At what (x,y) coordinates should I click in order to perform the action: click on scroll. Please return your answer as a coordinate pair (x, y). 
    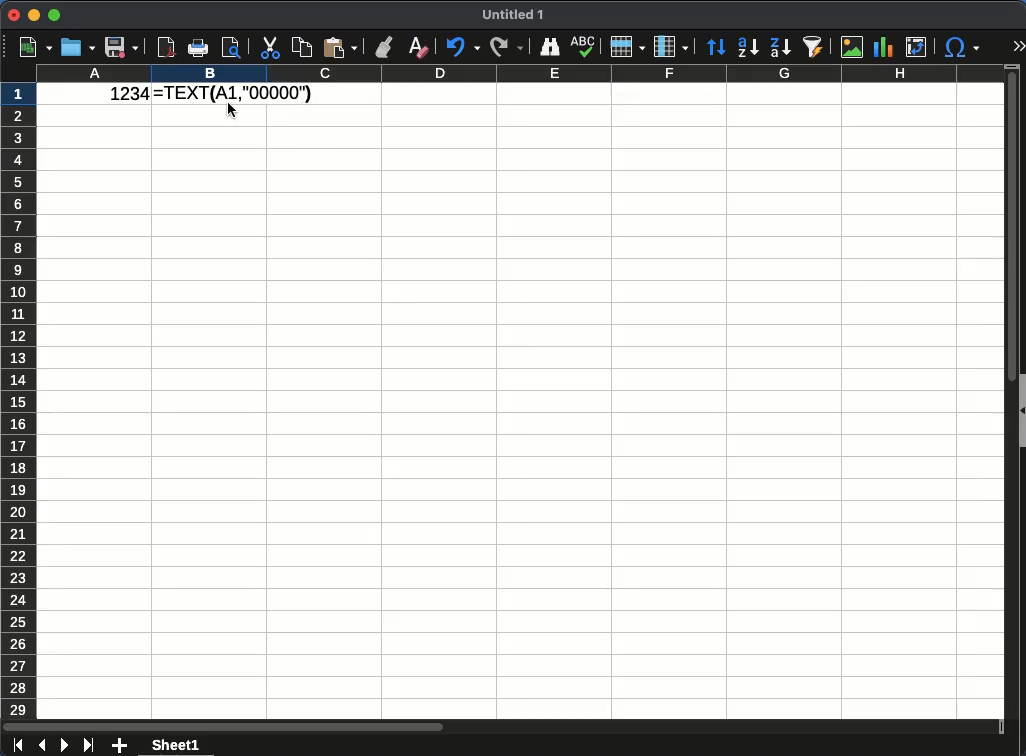
    Looking at the image, I should click on (504, 726).